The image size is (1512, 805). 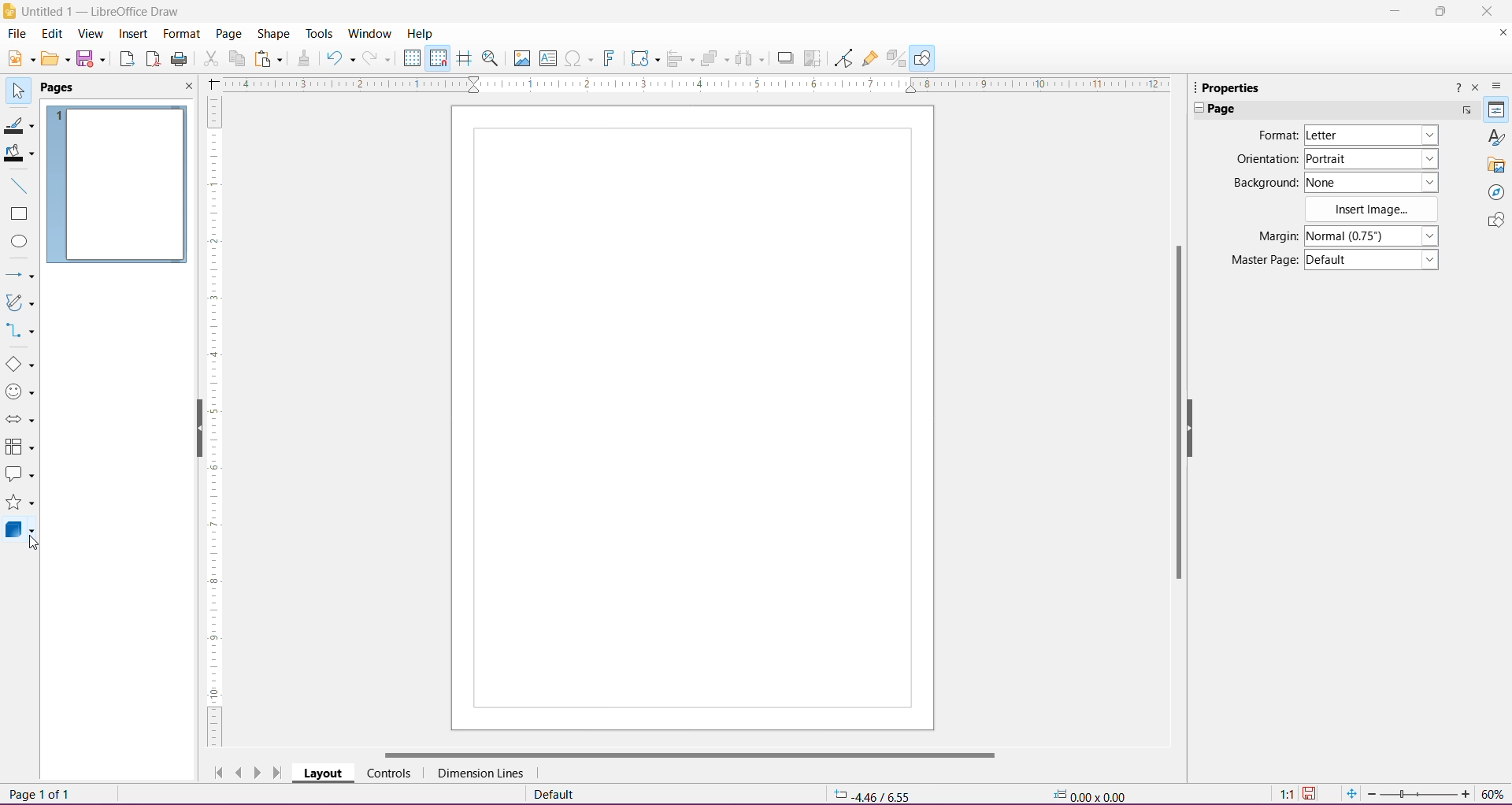 What do you see at coordinates (19, 214) in the screenshot?
I see `Rectangle` at bounding box center [19, 214].